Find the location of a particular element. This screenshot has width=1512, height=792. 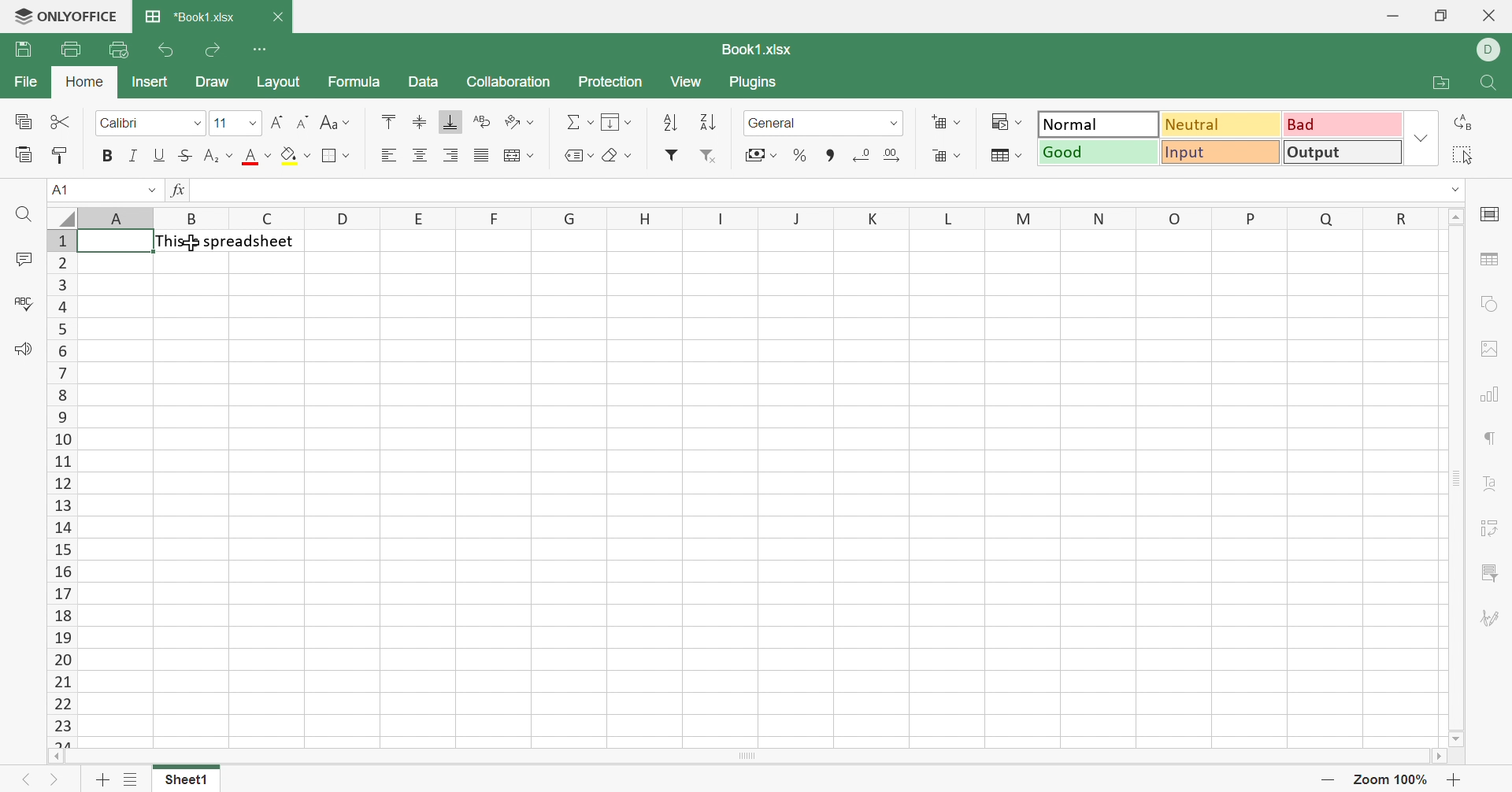

Row Numbers is located at coordinates (61, 487).